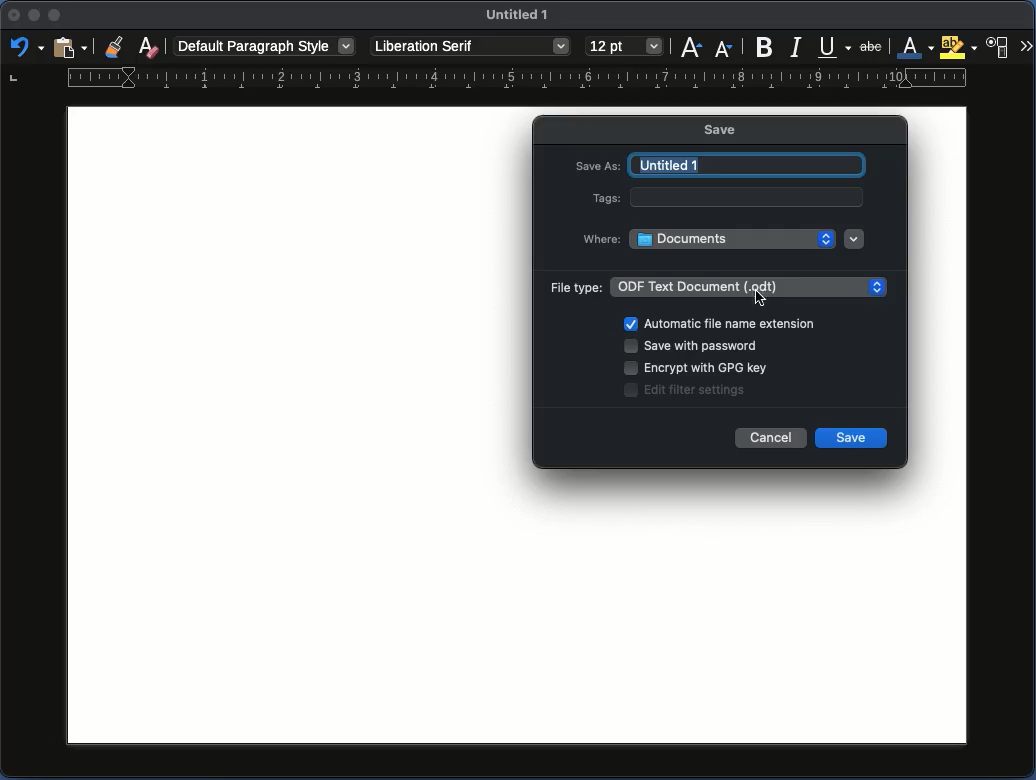 The height and width of the screenshot is (780, 1036). What do you see at coordinates (835, 46) in the screenshot?
I see `Underline` at bounding box center [835, 46].